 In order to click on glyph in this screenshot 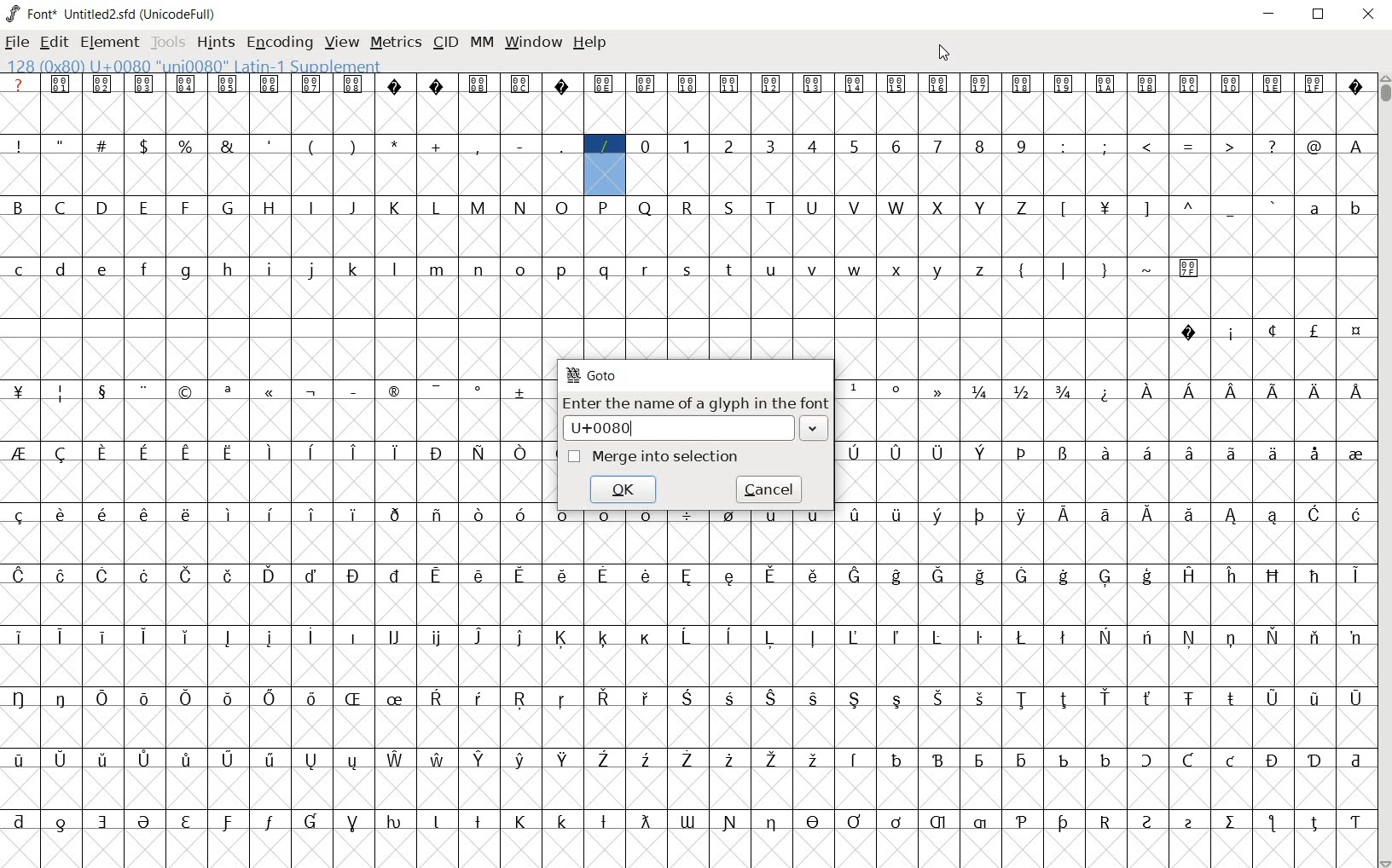, I will do `click(1314, 83)`.